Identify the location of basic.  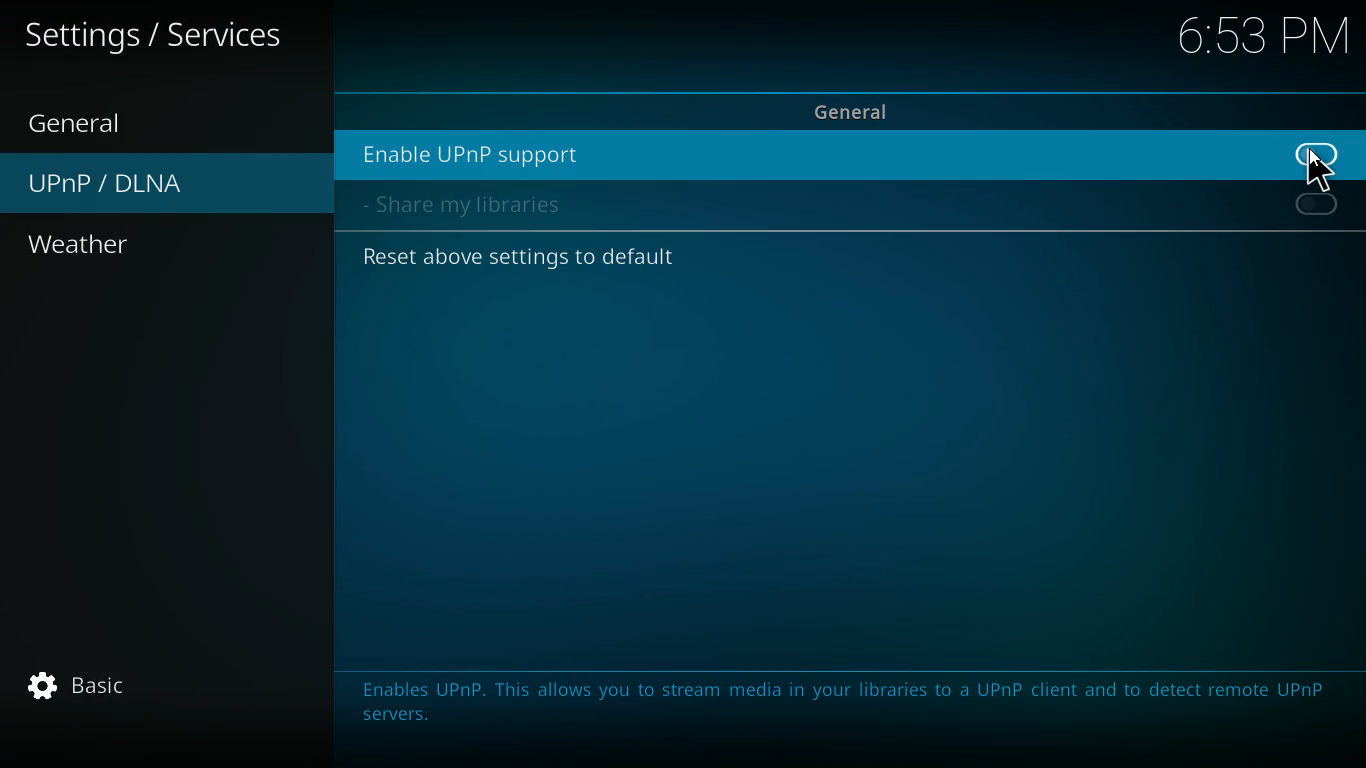
(114, 686).